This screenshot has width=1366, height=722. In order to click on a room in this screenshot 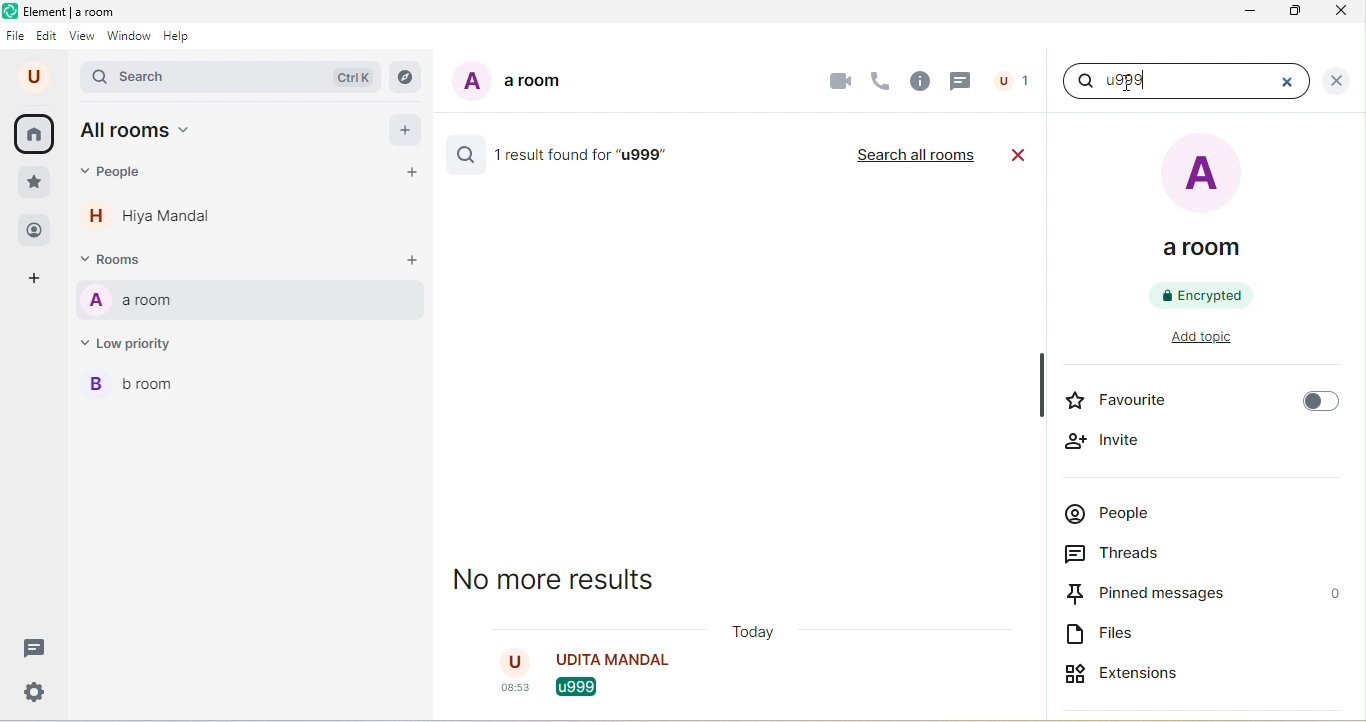, I will do `click(508, 85)`.